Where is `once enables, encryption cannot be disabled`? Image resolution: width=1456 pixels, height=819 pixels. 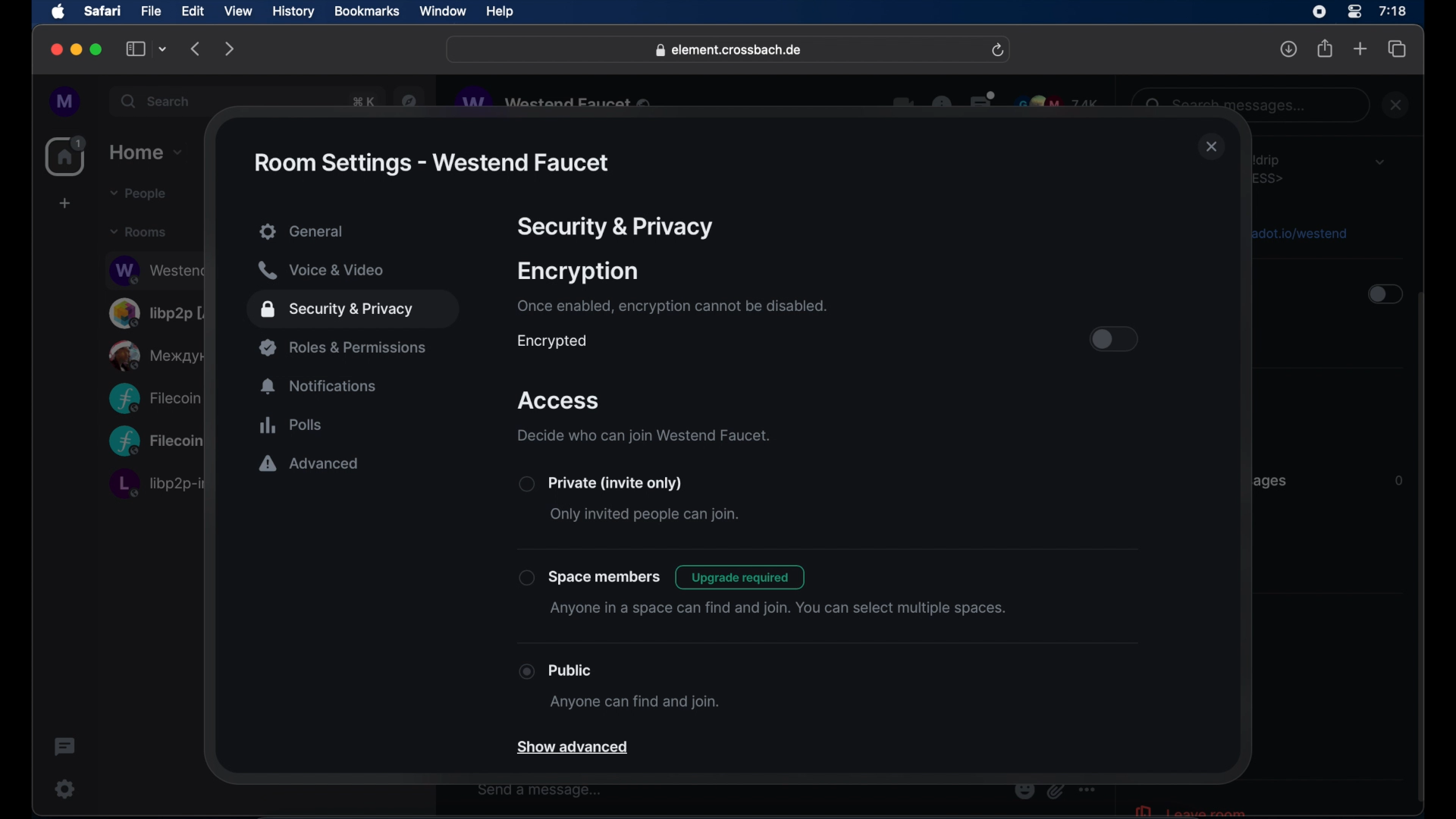
once enables, encryption cannot be disabled is located at coordinates (670, 306).